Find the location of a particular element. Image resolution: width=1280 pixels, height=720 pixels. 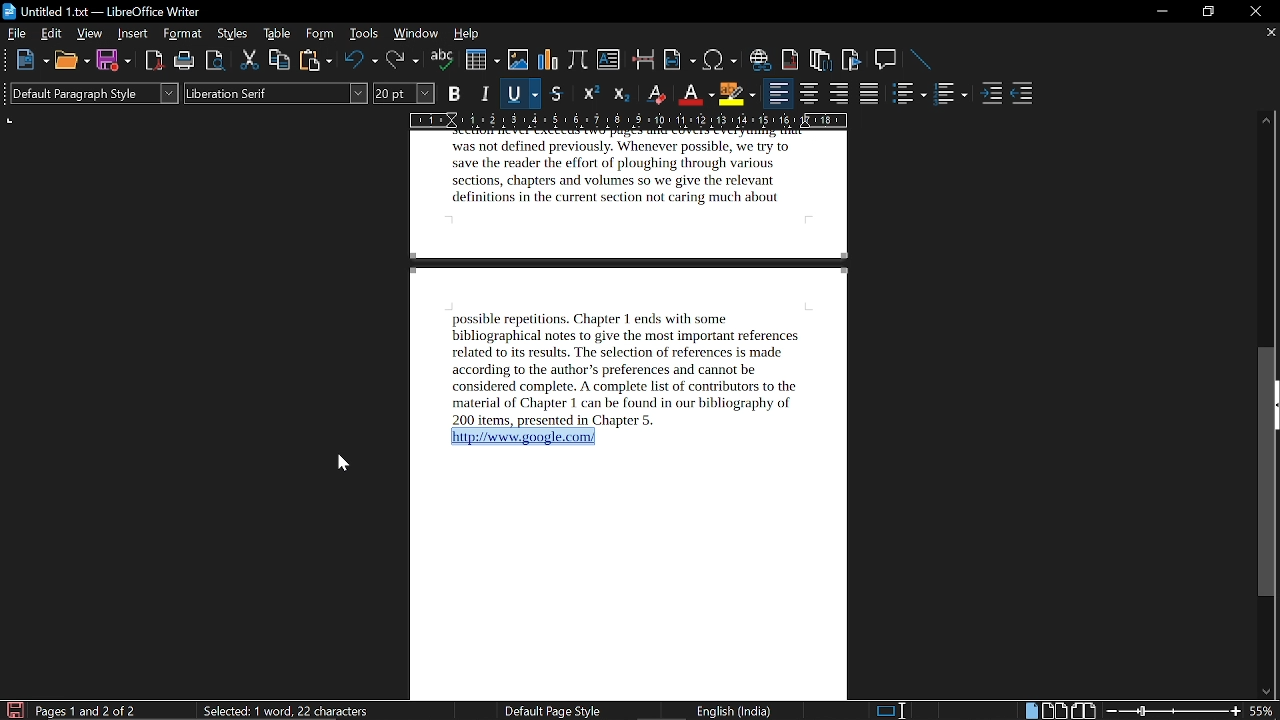

toggle print preview is located at coordinates (216, 61).